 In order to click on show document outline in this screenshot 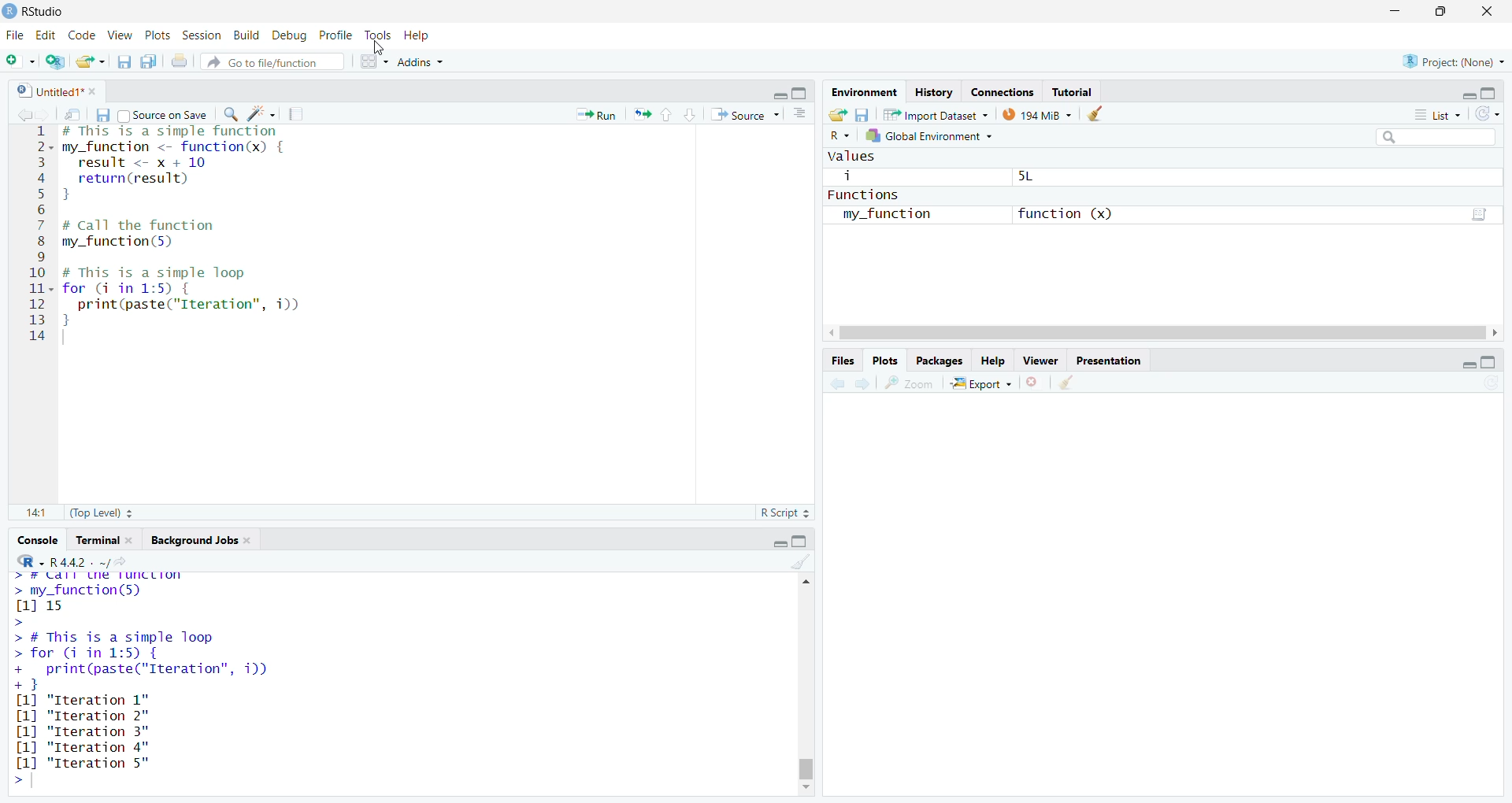, I will do `click(802, 114)`.